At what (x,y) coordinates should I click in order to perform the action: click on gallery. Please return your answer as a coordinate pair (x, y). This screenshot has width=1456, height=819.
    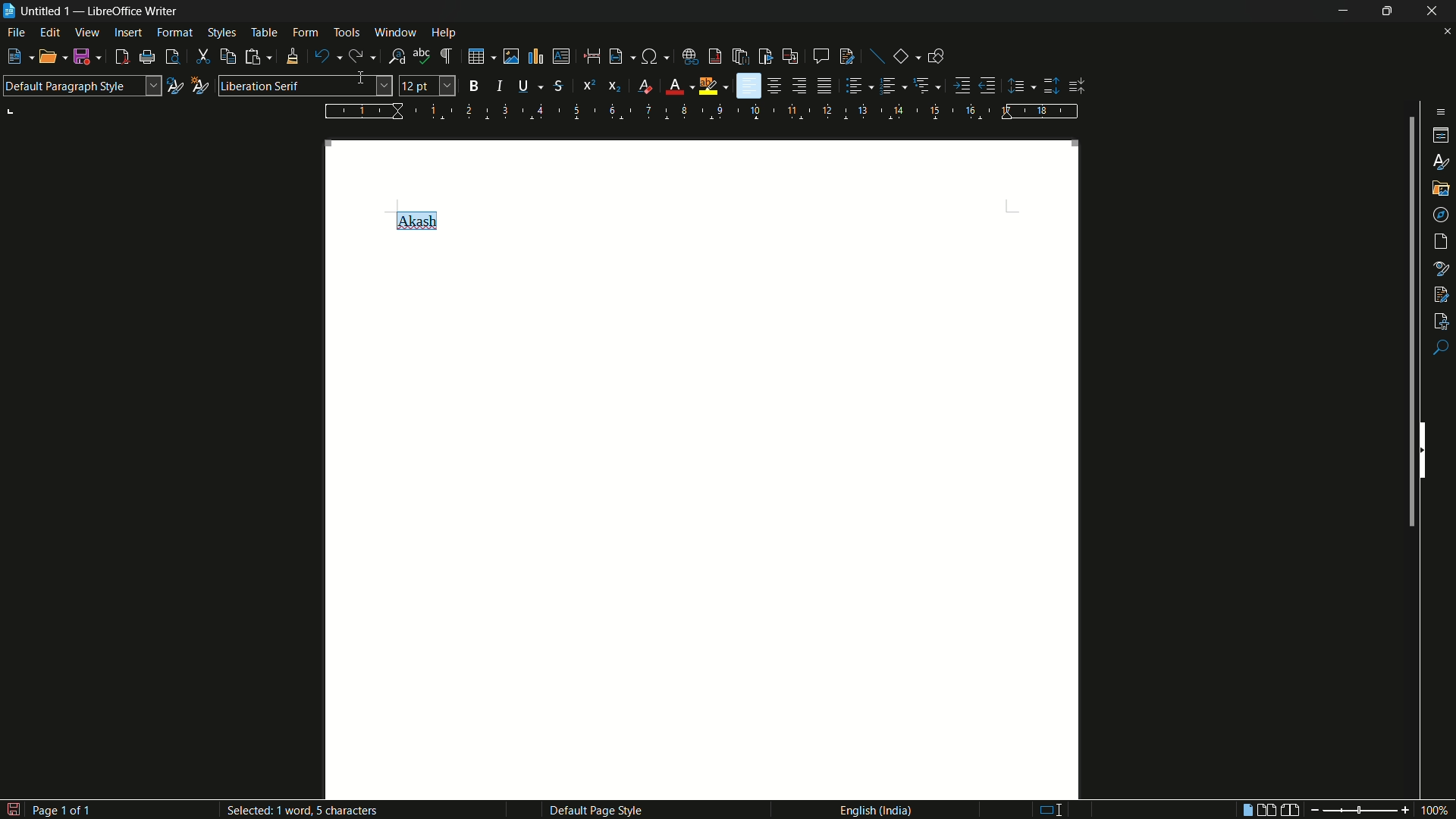
    Looking at the image, I should click on (1441, 187).